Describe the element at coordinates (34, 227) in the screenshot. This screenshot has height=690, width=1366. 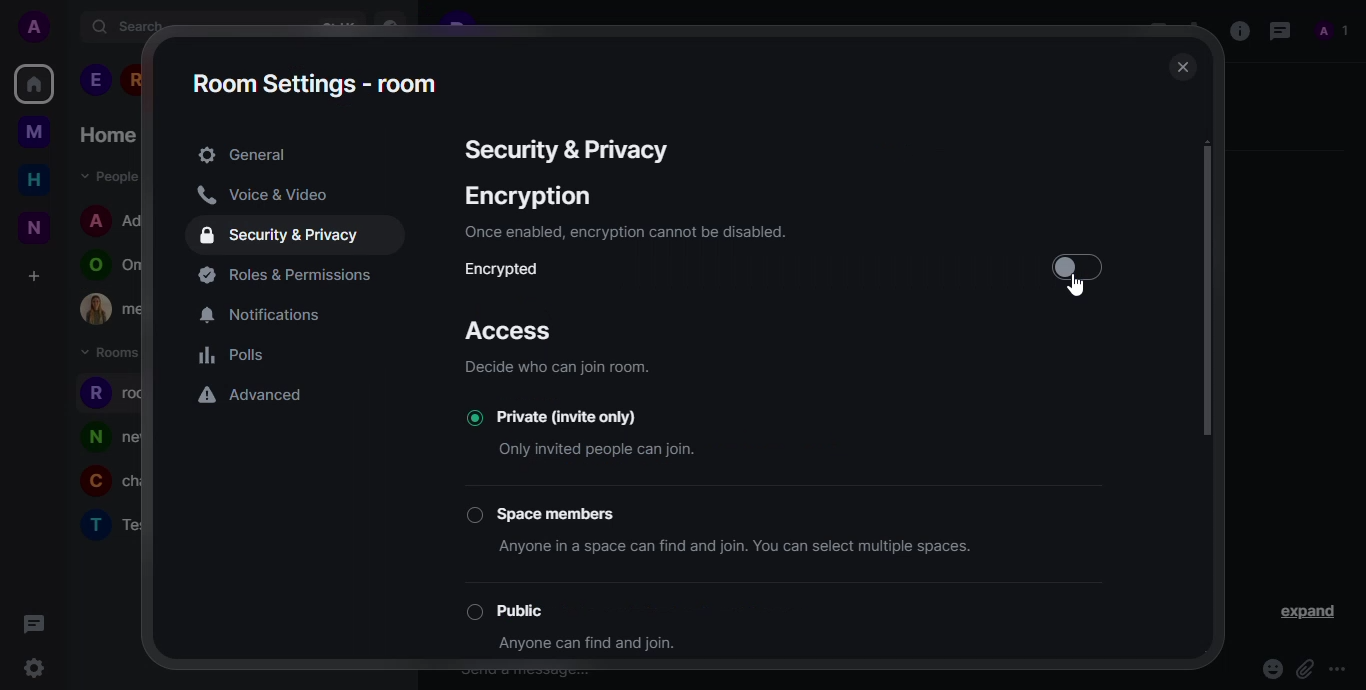
I see `new` at that location.